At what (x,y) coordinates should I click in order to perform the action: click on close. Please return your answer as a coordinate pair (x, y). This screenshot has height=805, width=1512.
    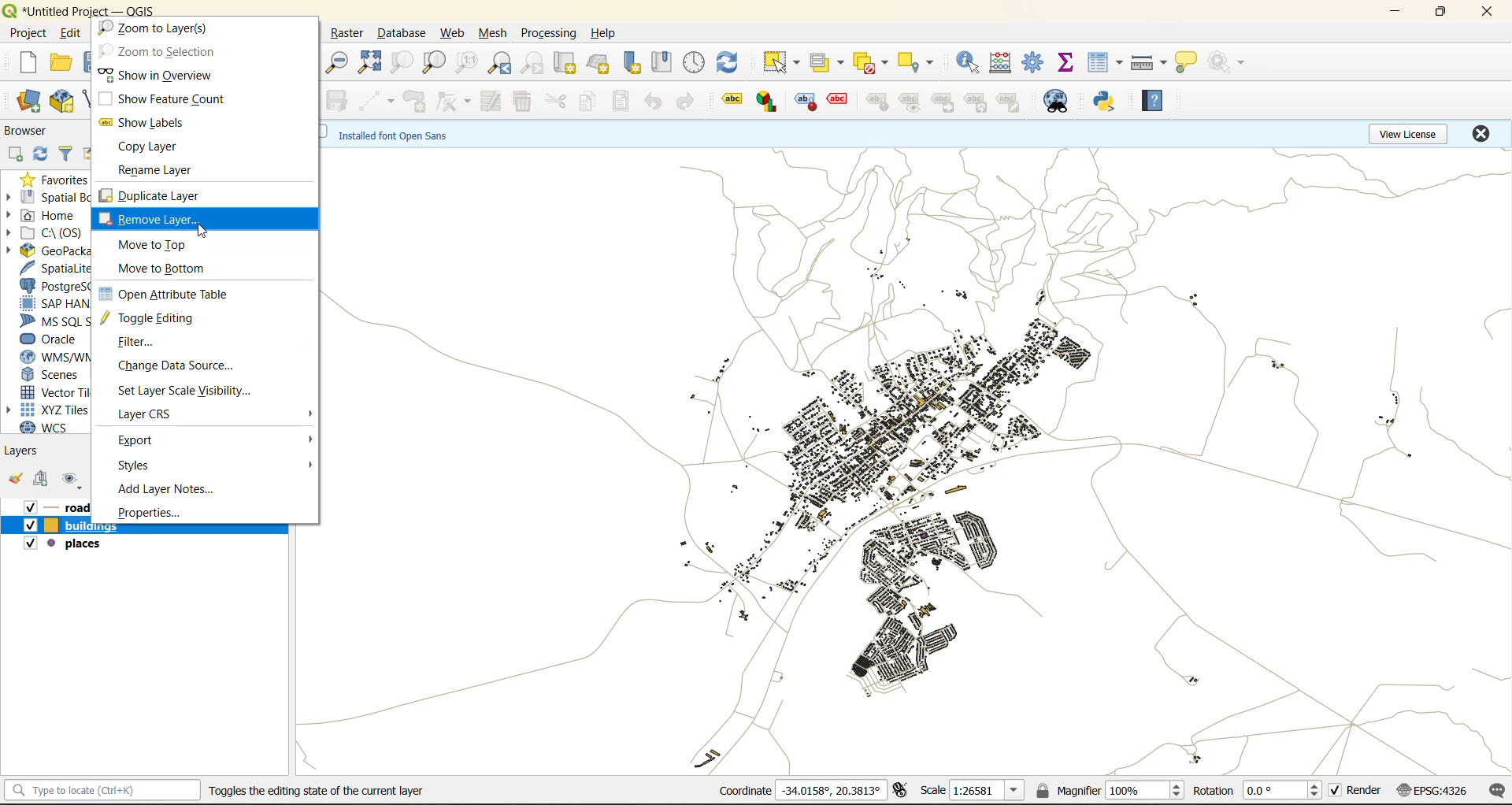
    Looking at the image, I should click on (1488, 12).